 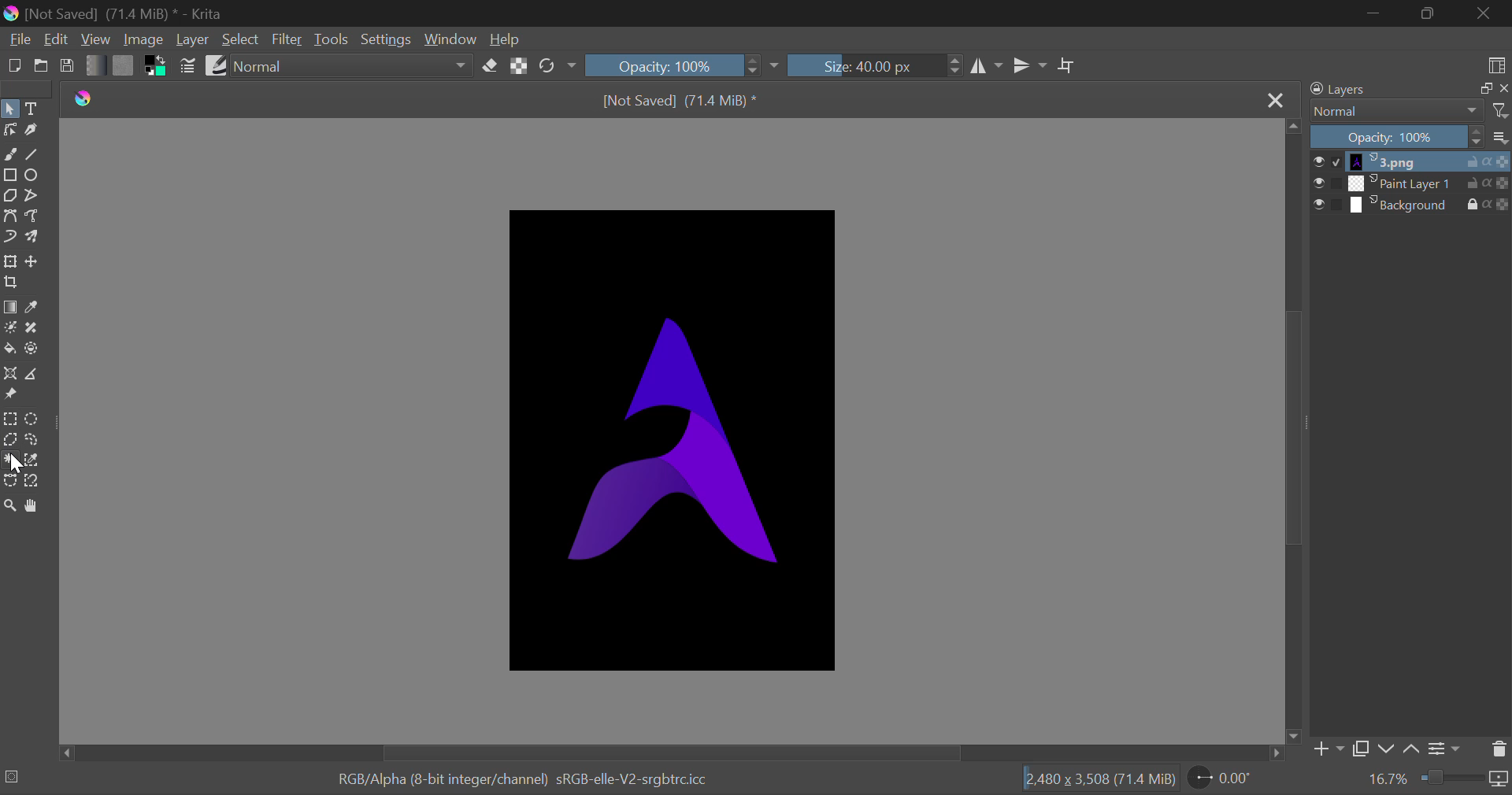 What do you see at coordinates (13, 15) in the screenshot?
I see `logo` at bounding box center [13, 15].